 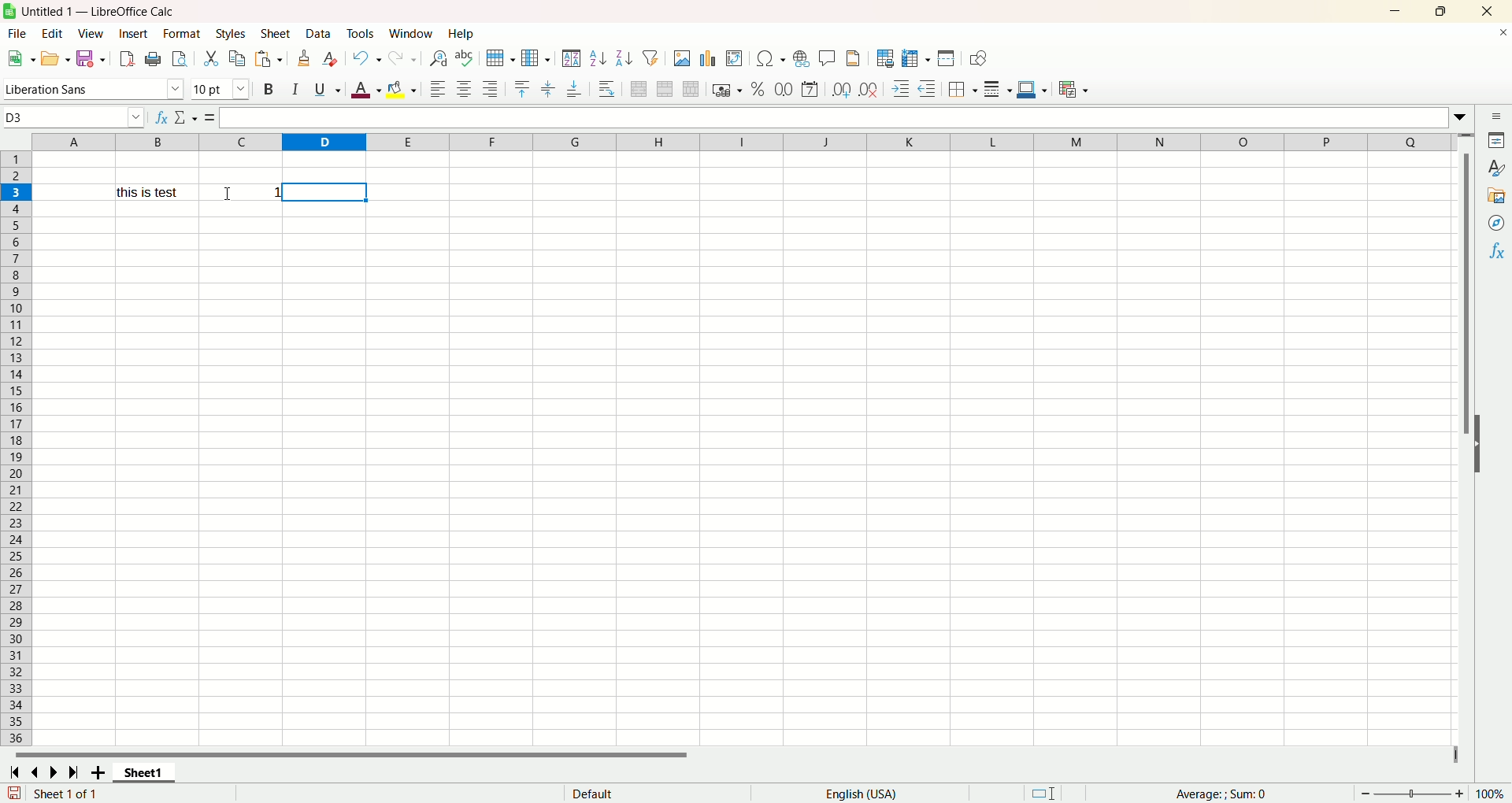 What do you see at coordinates (1396, 12) in the screenshot?
I see `minimize` at bounding box center [1396, 12].